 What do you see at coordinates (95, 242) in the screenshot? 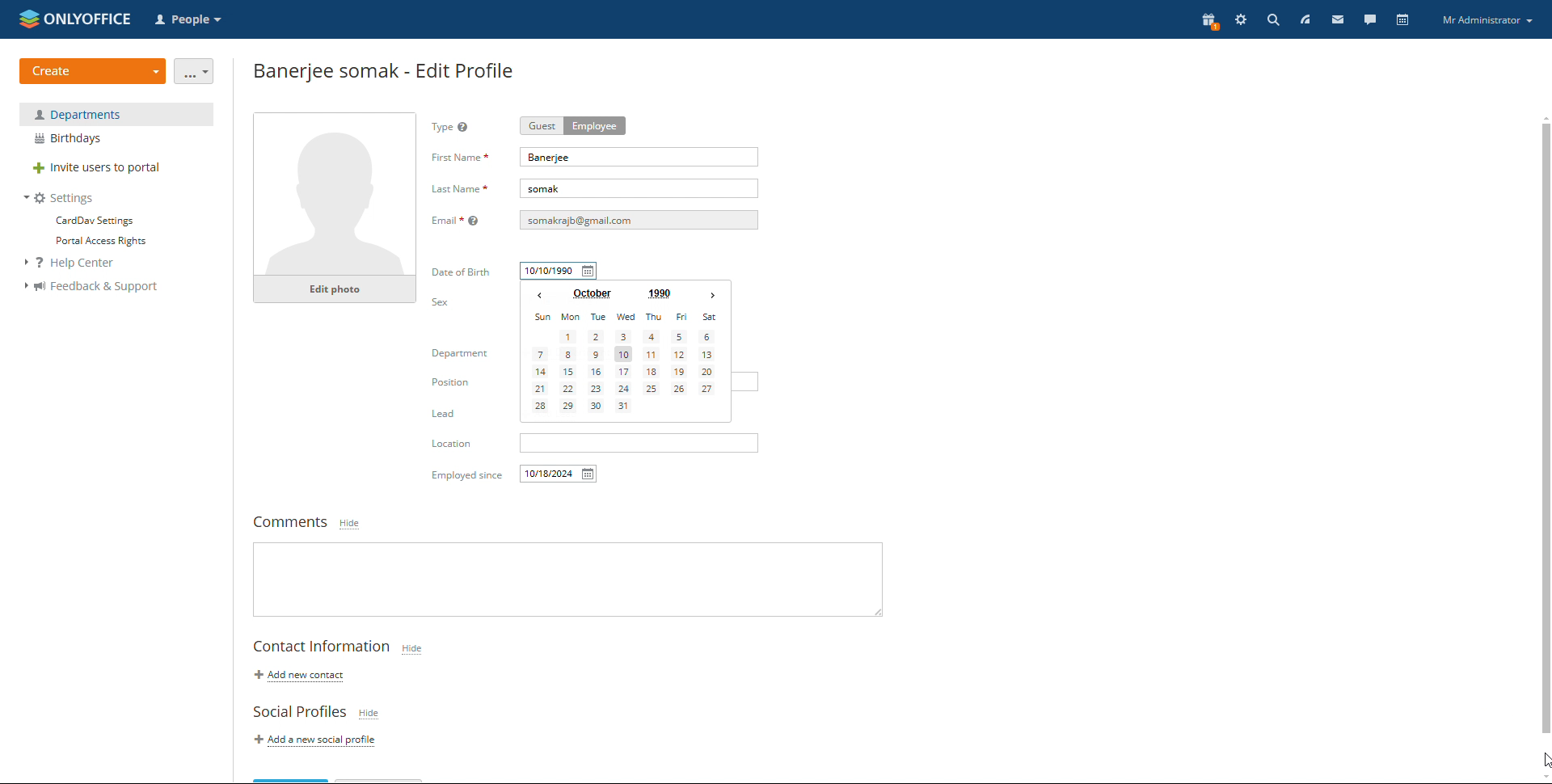
I see `portal access rights` at bounding box center [95, 242].